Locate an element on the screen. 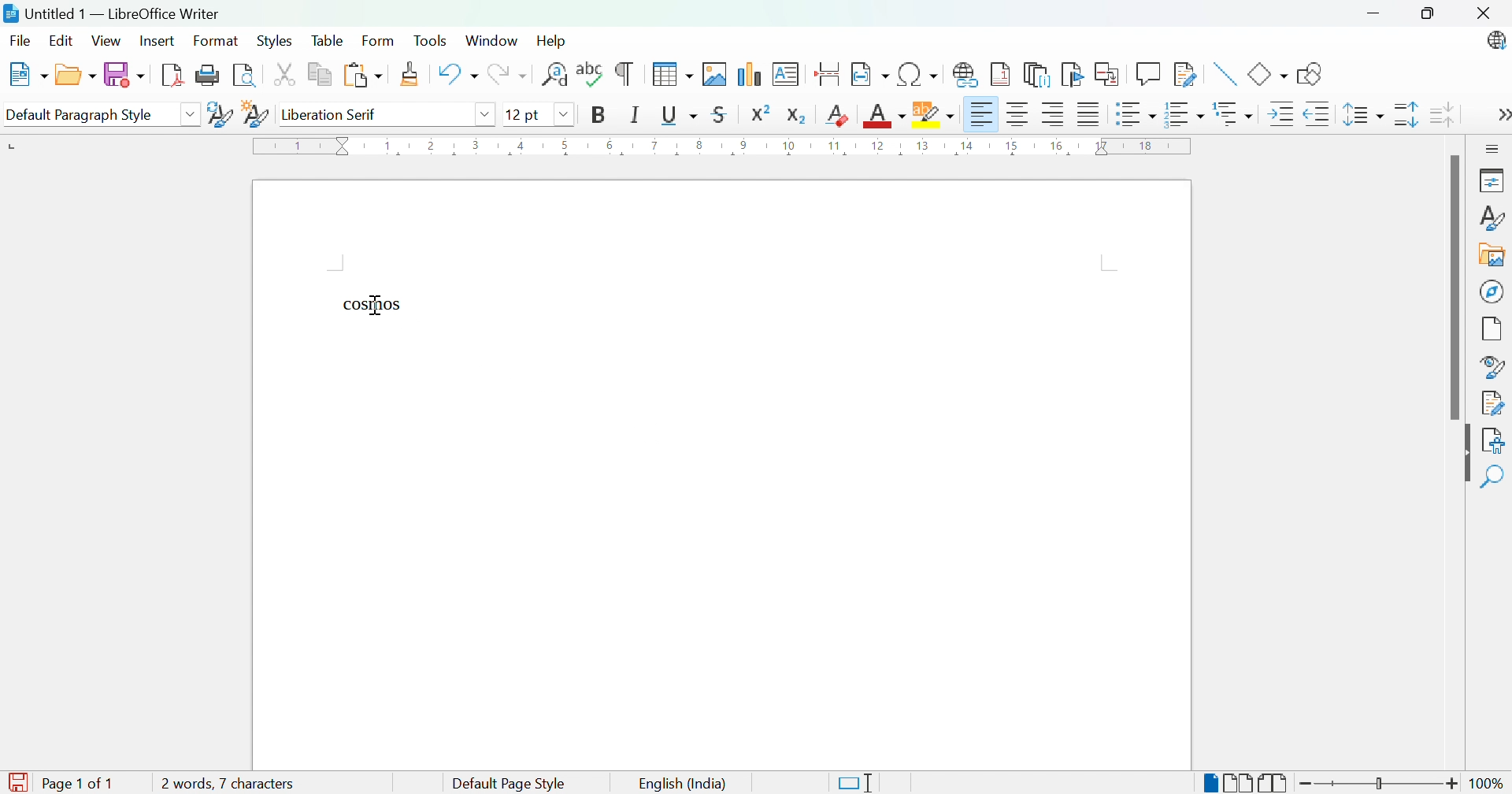  Undo is located at coordinates (458, 73).